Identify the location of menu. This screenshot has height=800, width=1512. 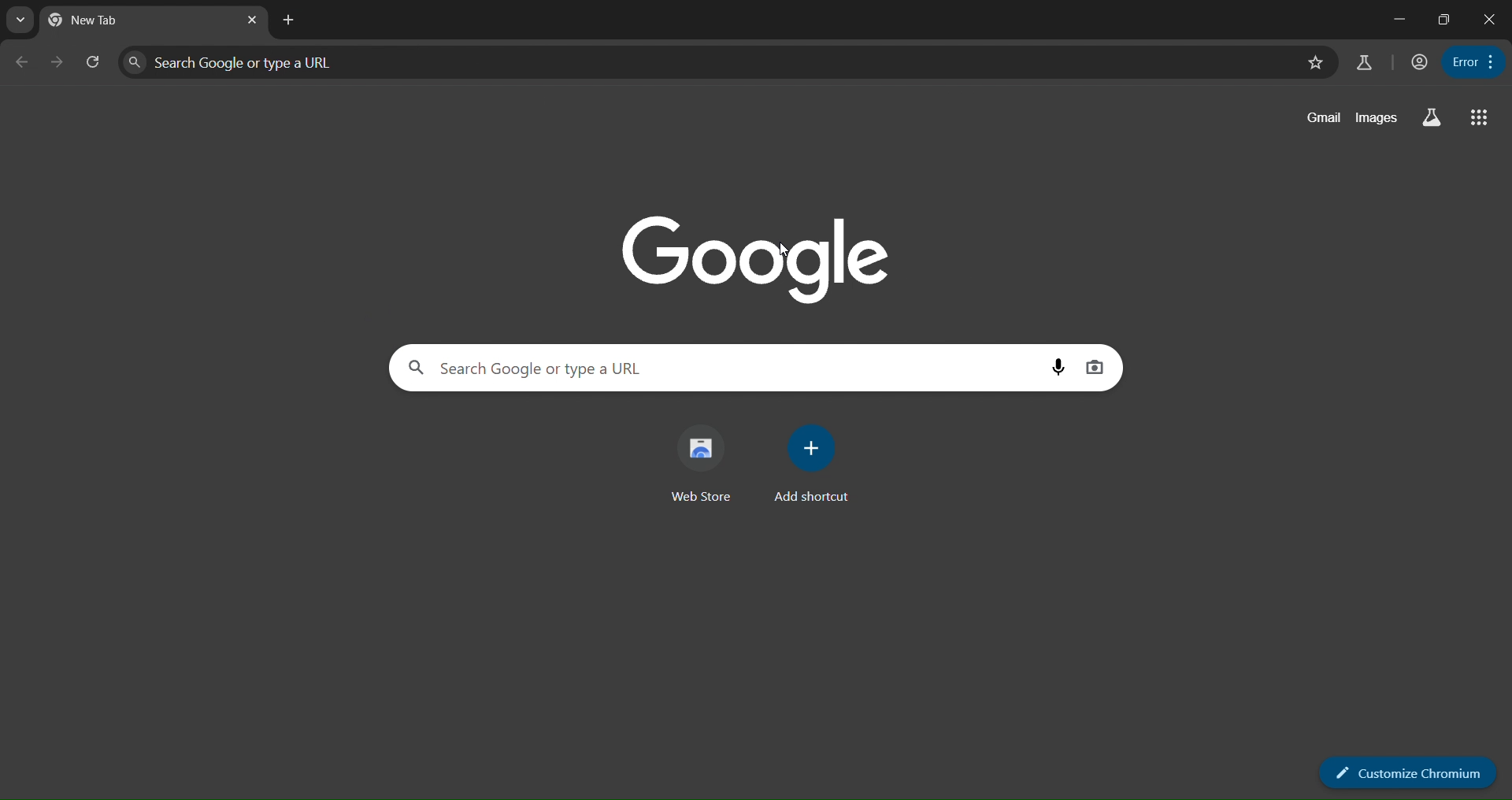
(1474, 61).